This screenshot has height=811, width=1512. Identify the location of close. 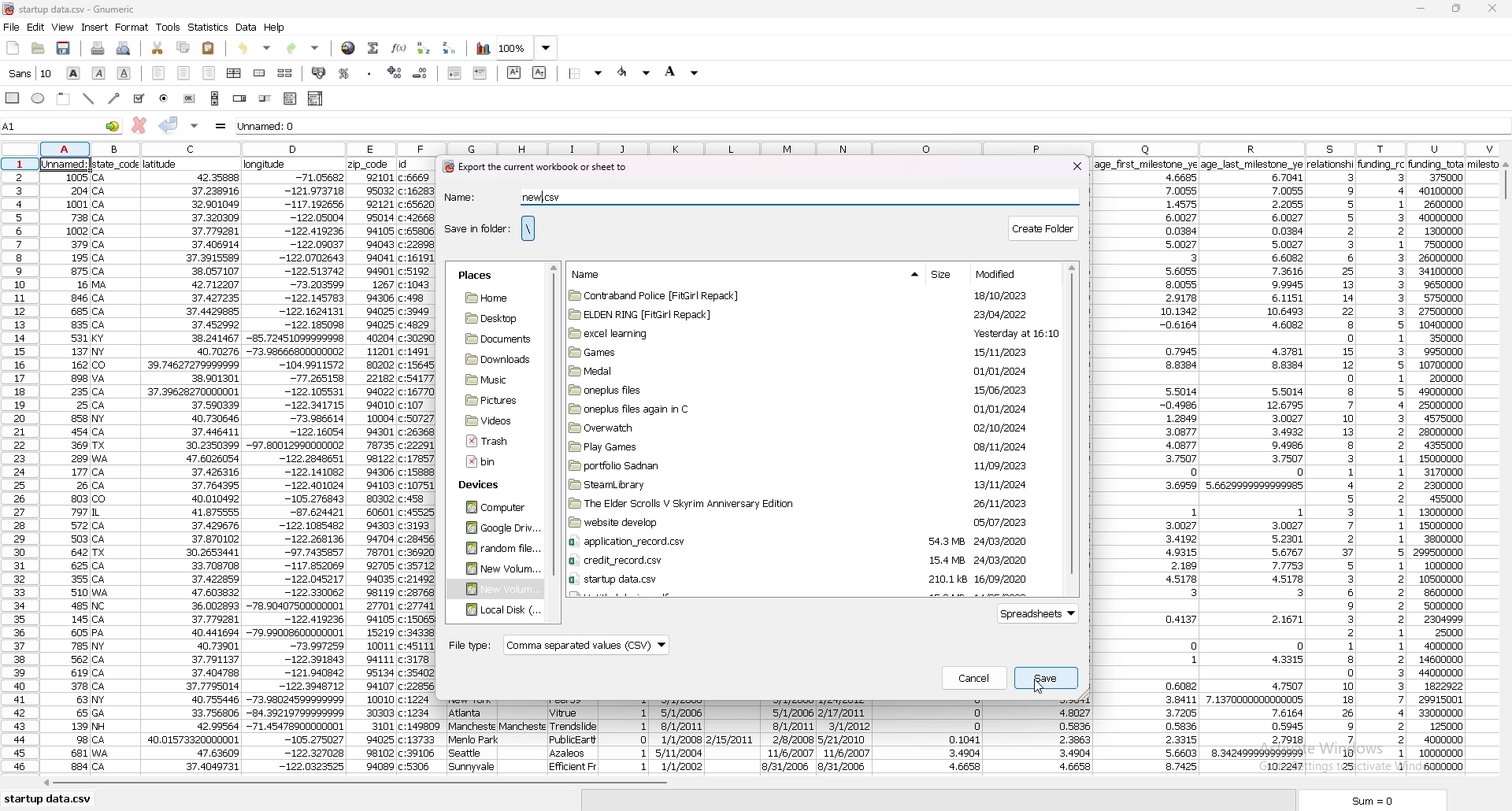
(1492, 9).